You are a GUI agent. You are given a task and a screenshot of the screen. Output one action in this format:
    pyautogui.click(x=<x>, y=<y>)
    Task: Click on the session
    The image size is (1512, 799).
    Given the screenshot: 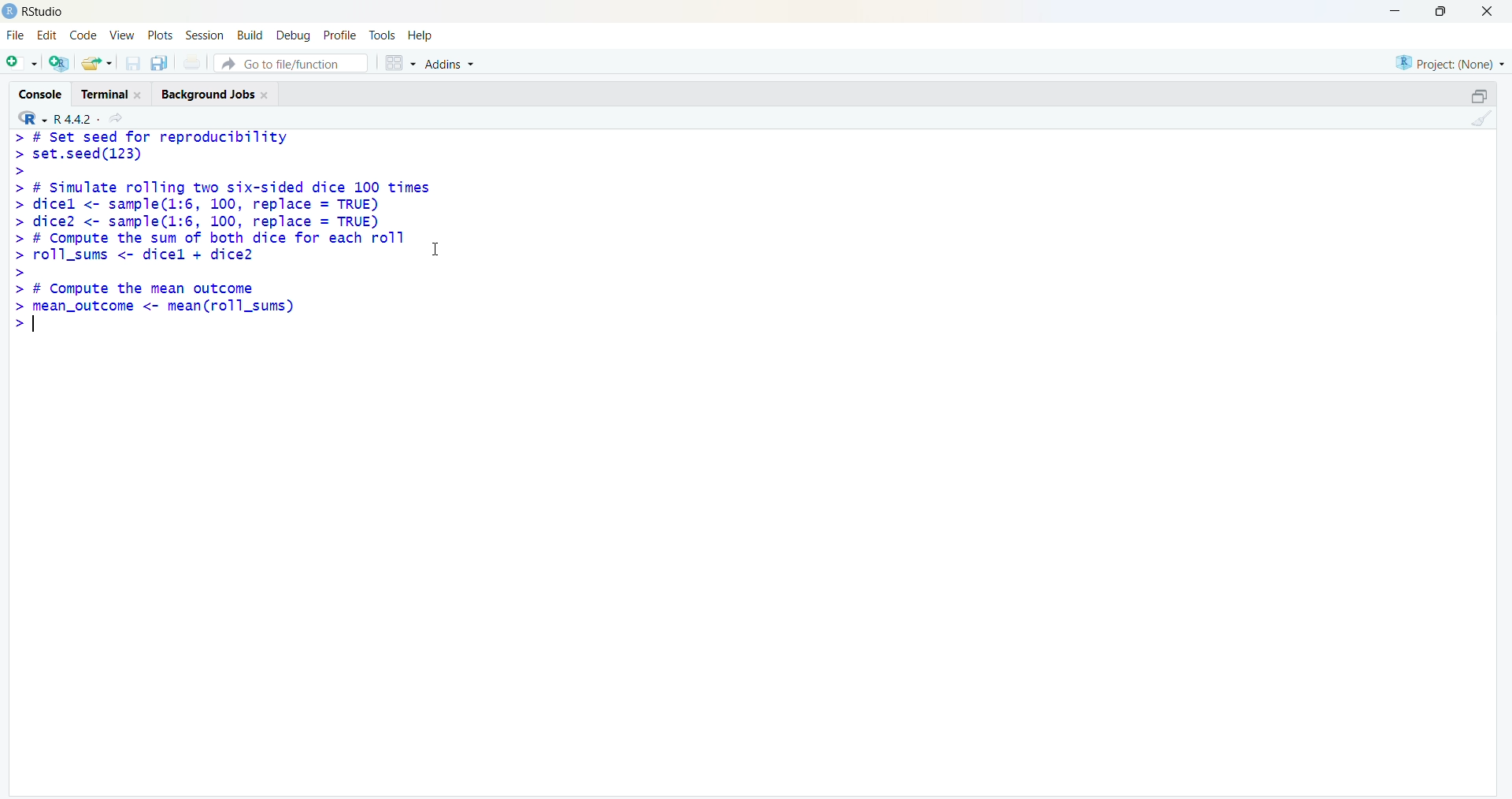 What is the action you would take?
    pyautogui.click(x=205, y=35)
    